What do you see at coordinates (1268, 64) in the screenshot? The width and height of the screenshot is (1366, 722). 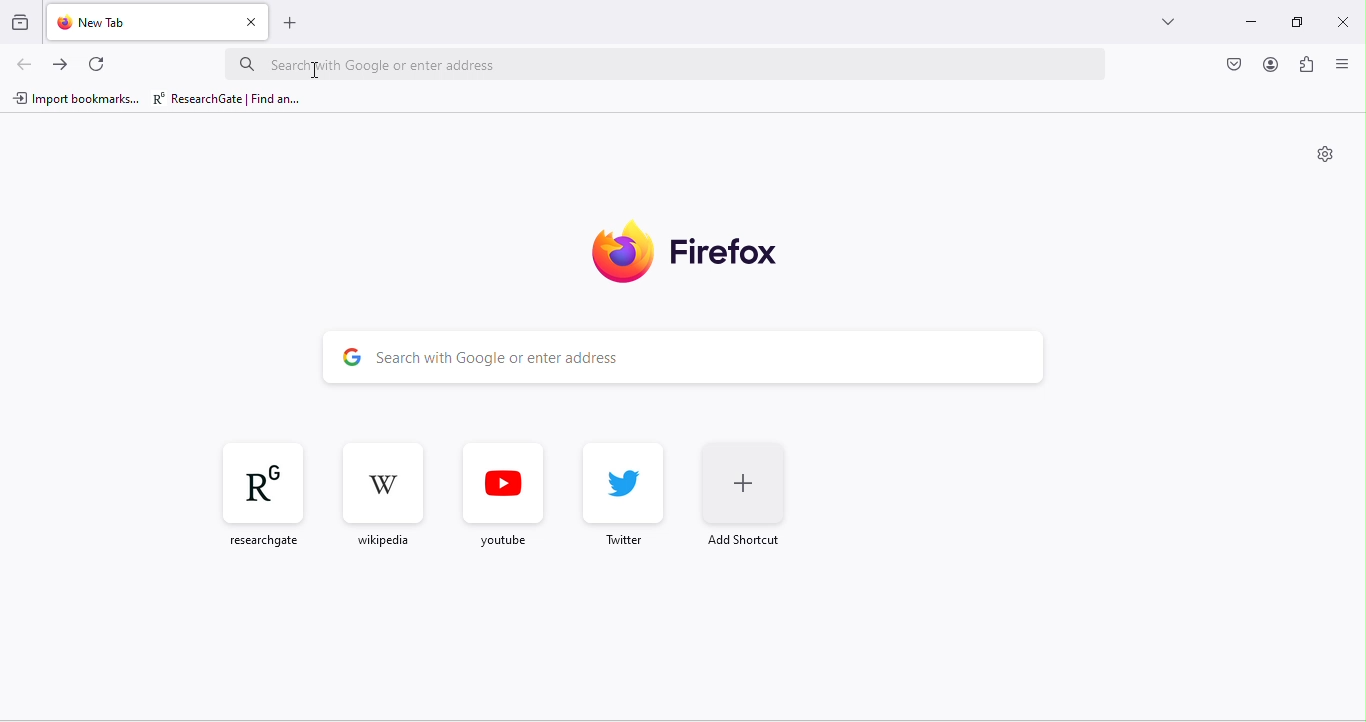 I see `account` at bounding box center [1268, 64].